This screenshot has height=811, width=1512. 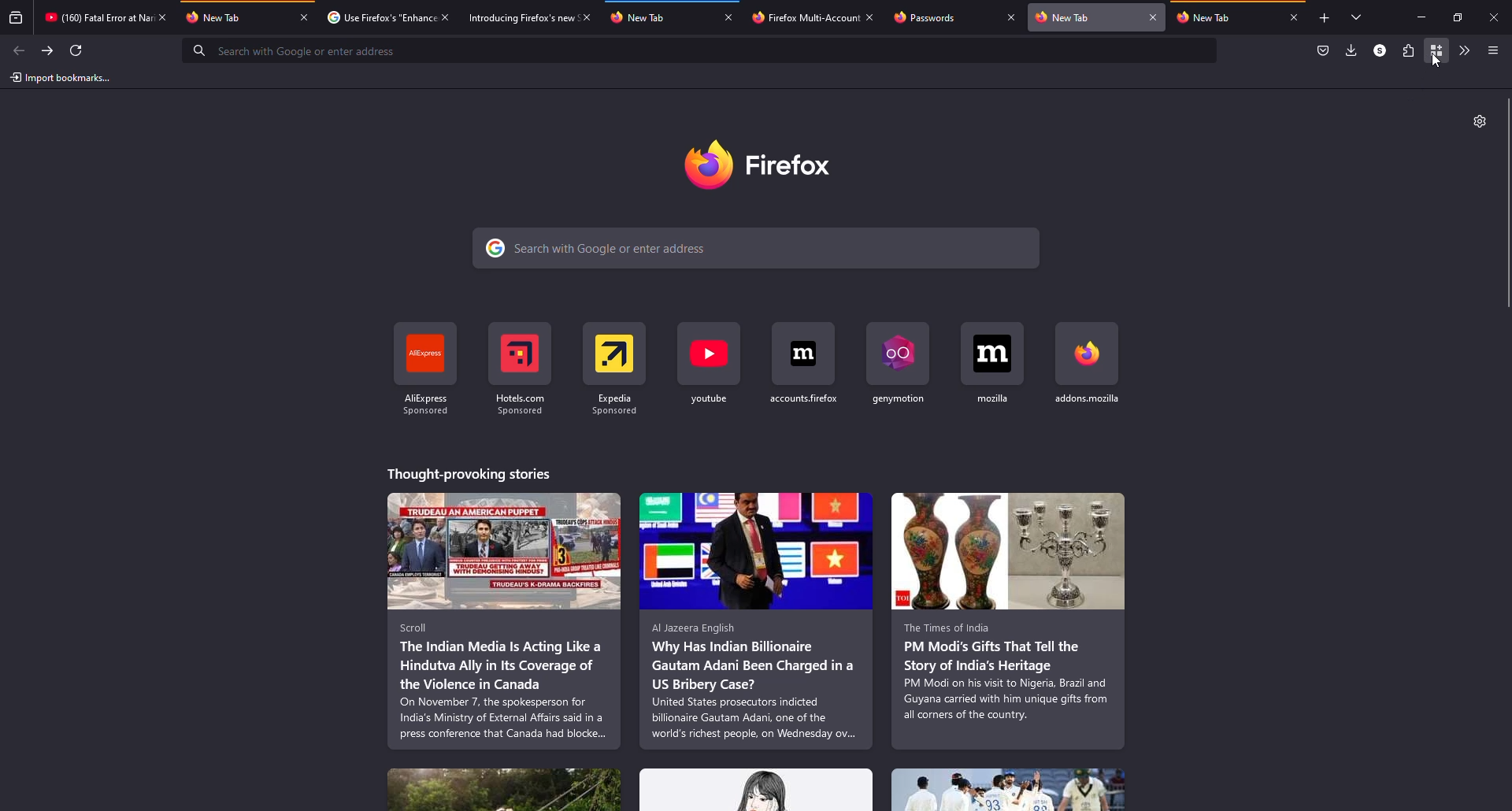 What do you see at coordinates (802, 17) in the screenshot?
I see `tab` at bounding box center [802, 17].